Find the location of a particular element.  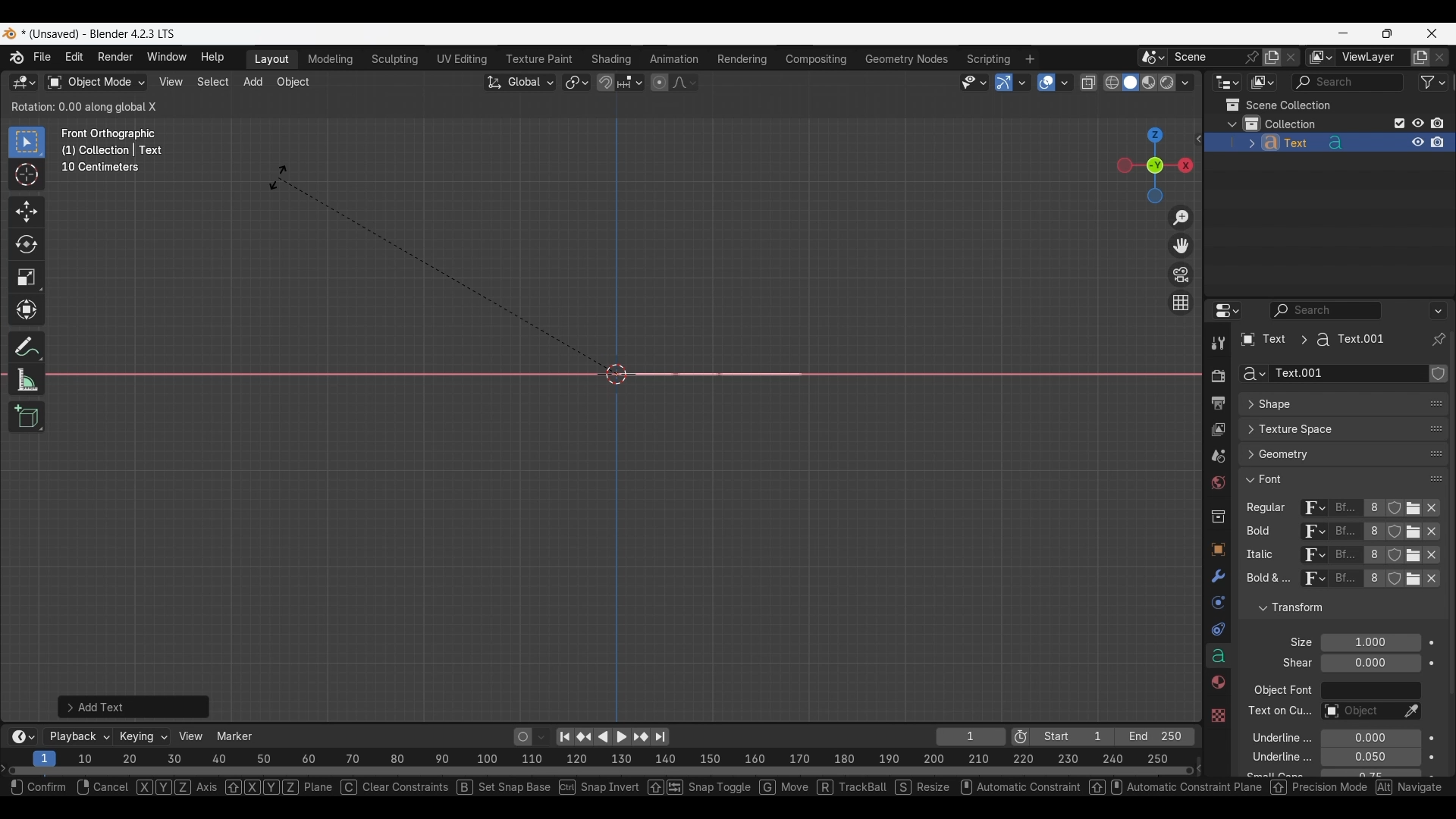

Disable in renders is located at coordinates (1437, 123).